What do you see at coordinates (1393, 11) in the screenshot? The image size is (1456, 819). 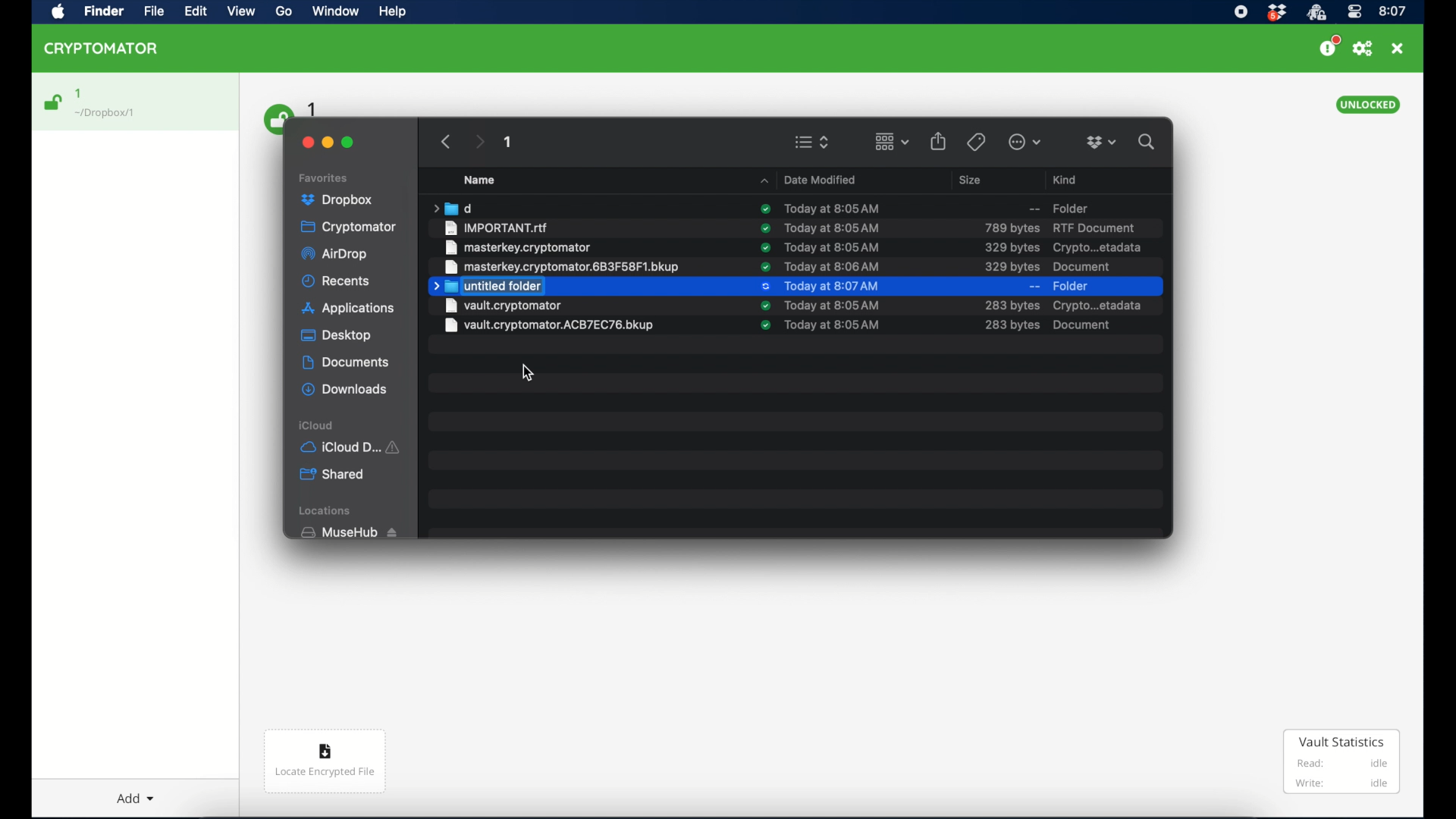 I see `time` at bounding box center [1393, 11].